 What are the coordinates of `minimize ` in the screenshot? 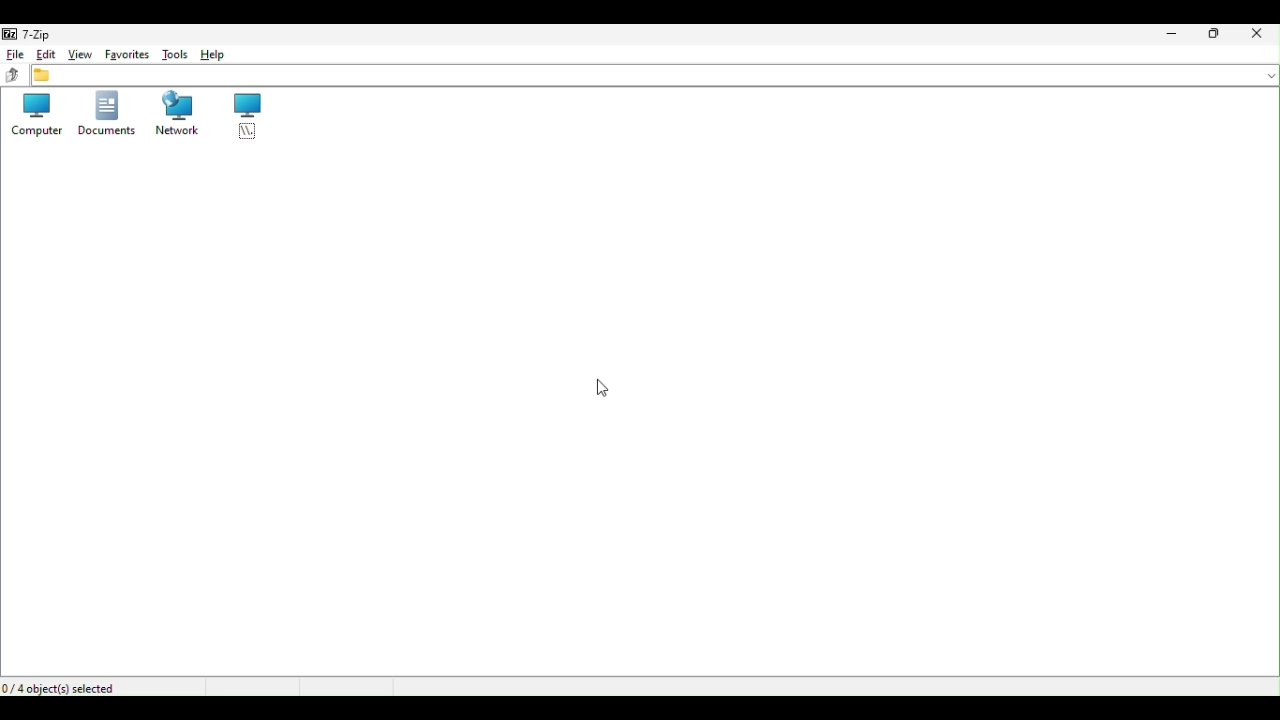 It's located at (1169, 36).